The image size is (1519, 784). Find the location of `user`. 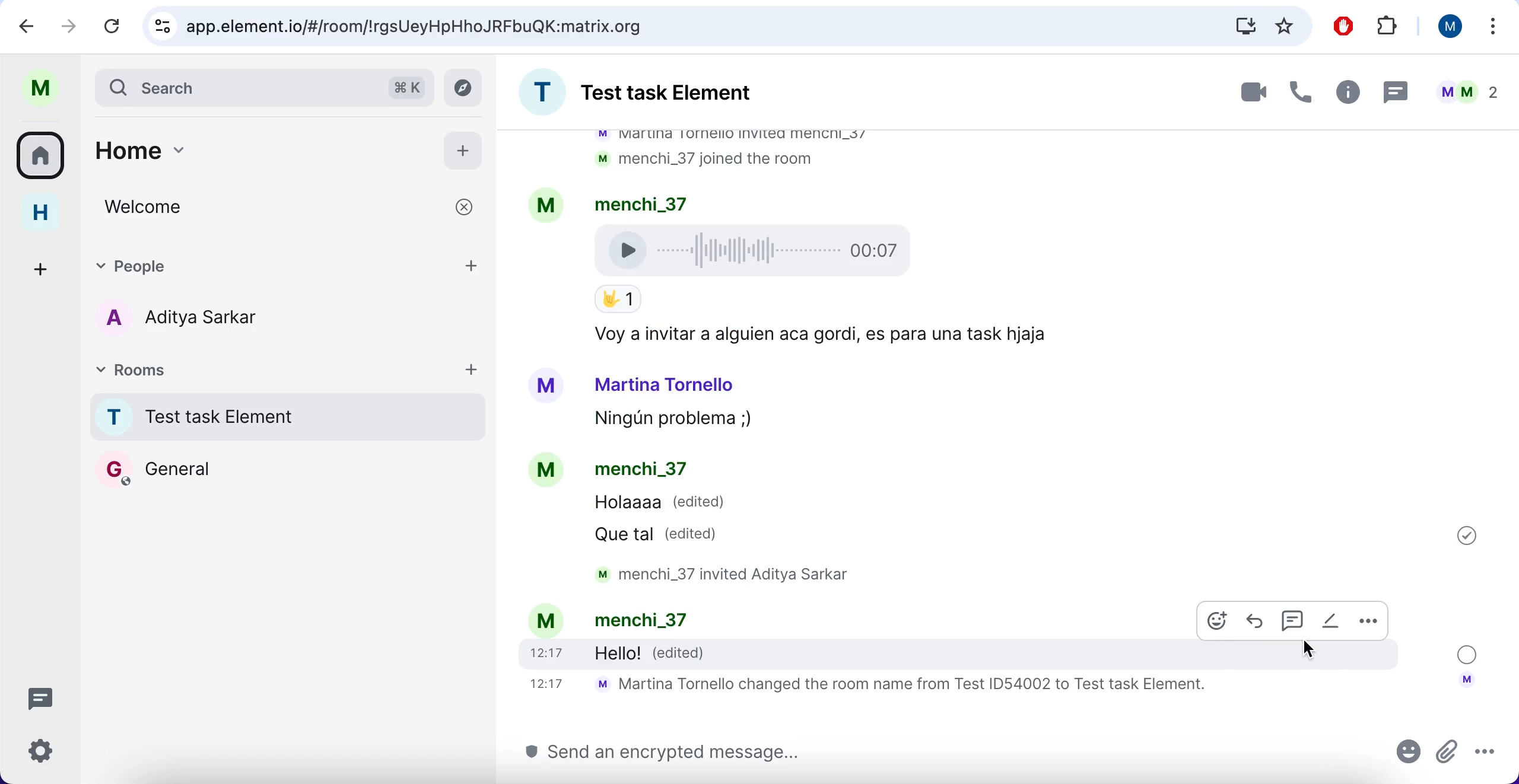

user is located at coordinates (1448, 27).